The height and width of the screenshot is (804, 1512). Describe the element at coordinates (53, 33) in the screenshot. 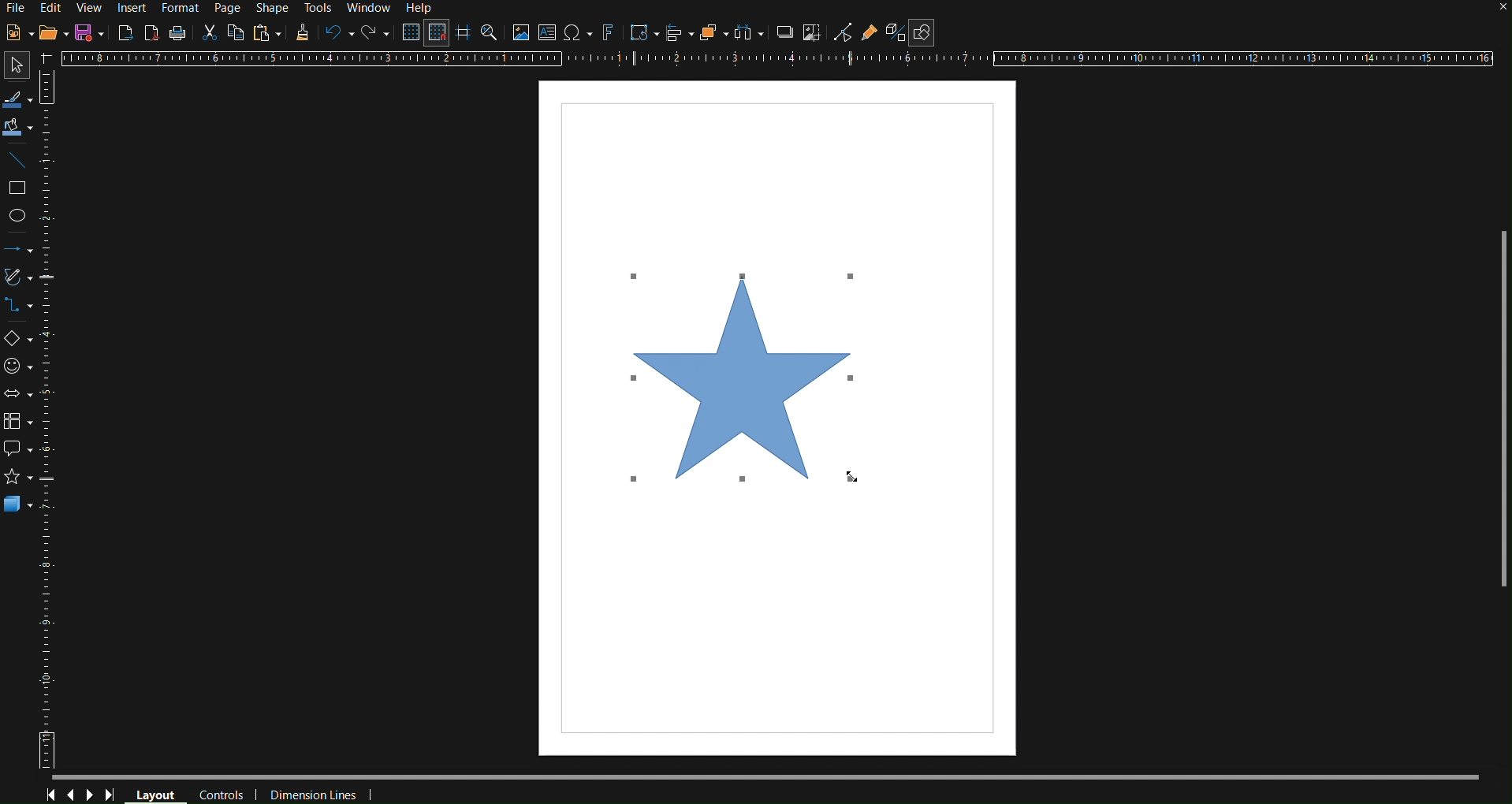

I see `Open` at that location.